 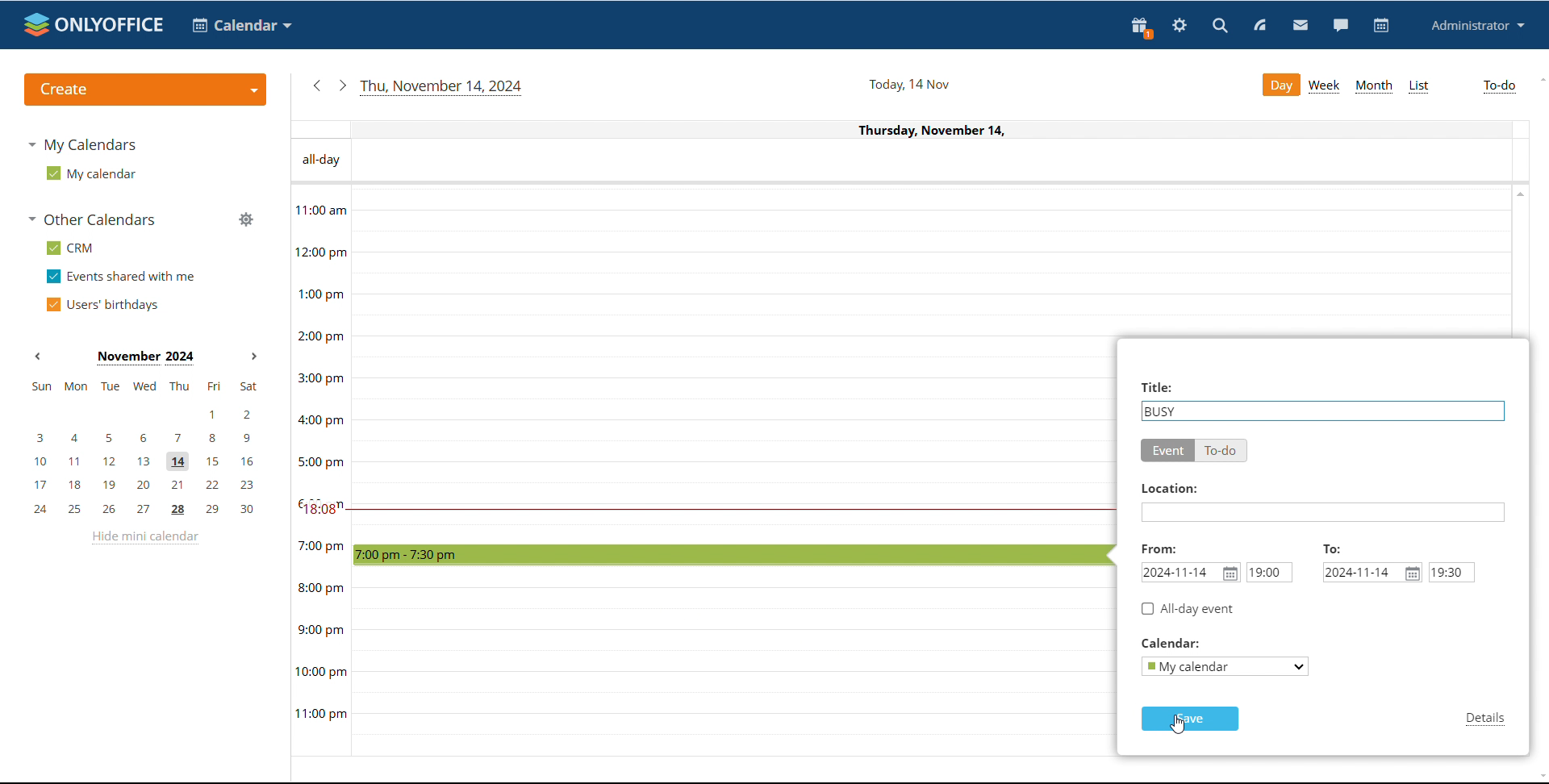 I want to click on to-do, so click(x=1500, y=87).